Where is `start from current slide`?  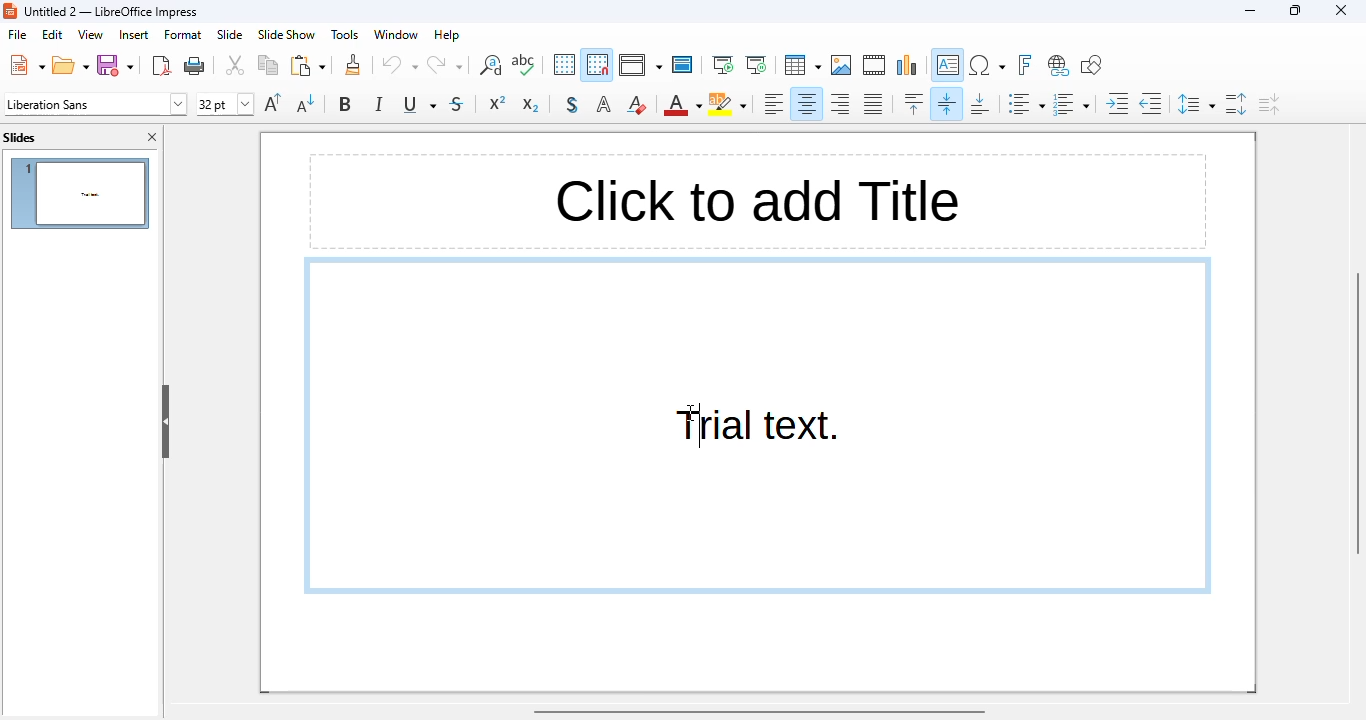 start from current slide is located at coordinates (757, 65).